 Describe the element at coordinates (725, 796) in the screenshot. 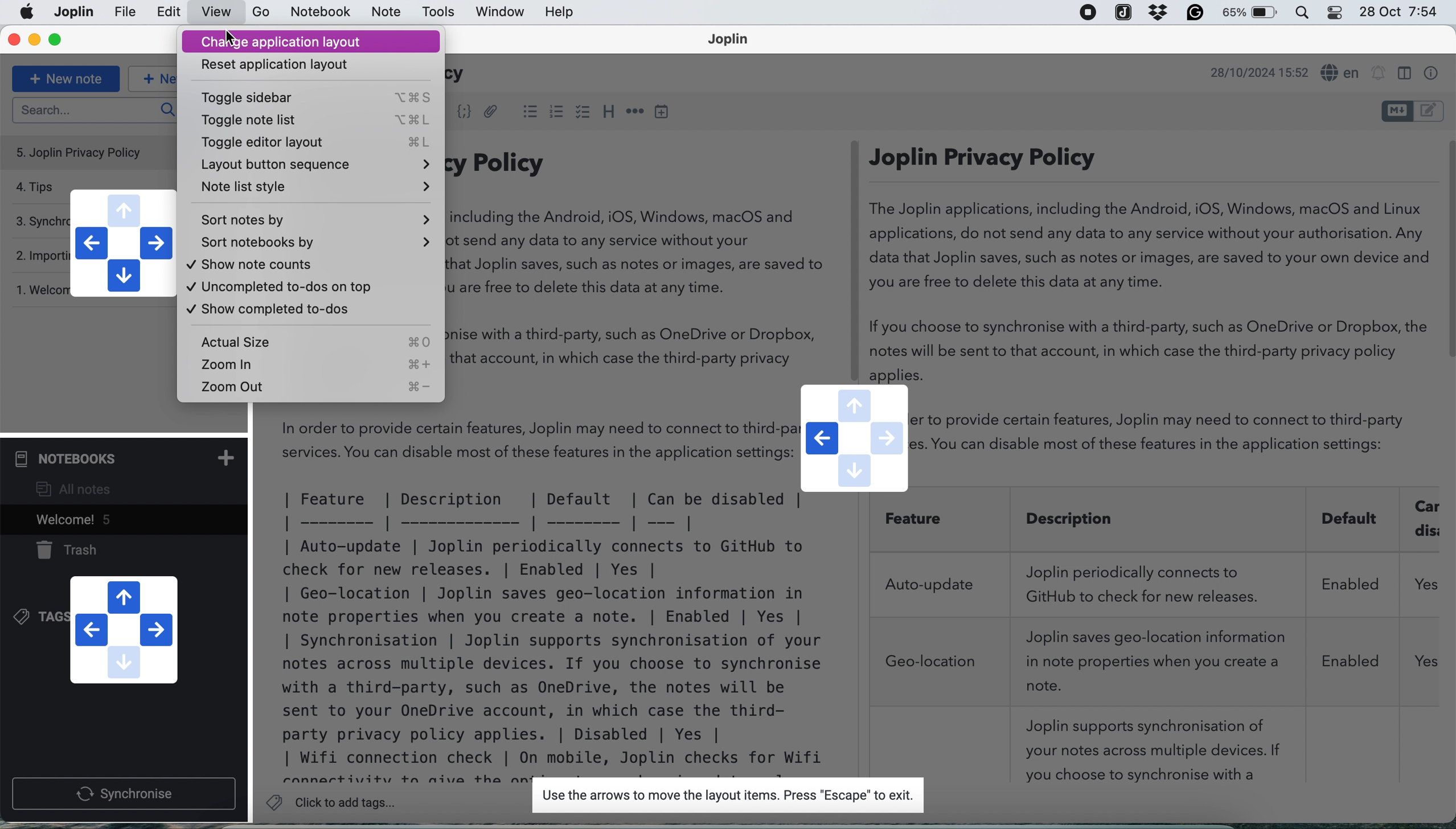

I see `Use the arrows to move the layout items. Press "Escape" to exit.` at that location.